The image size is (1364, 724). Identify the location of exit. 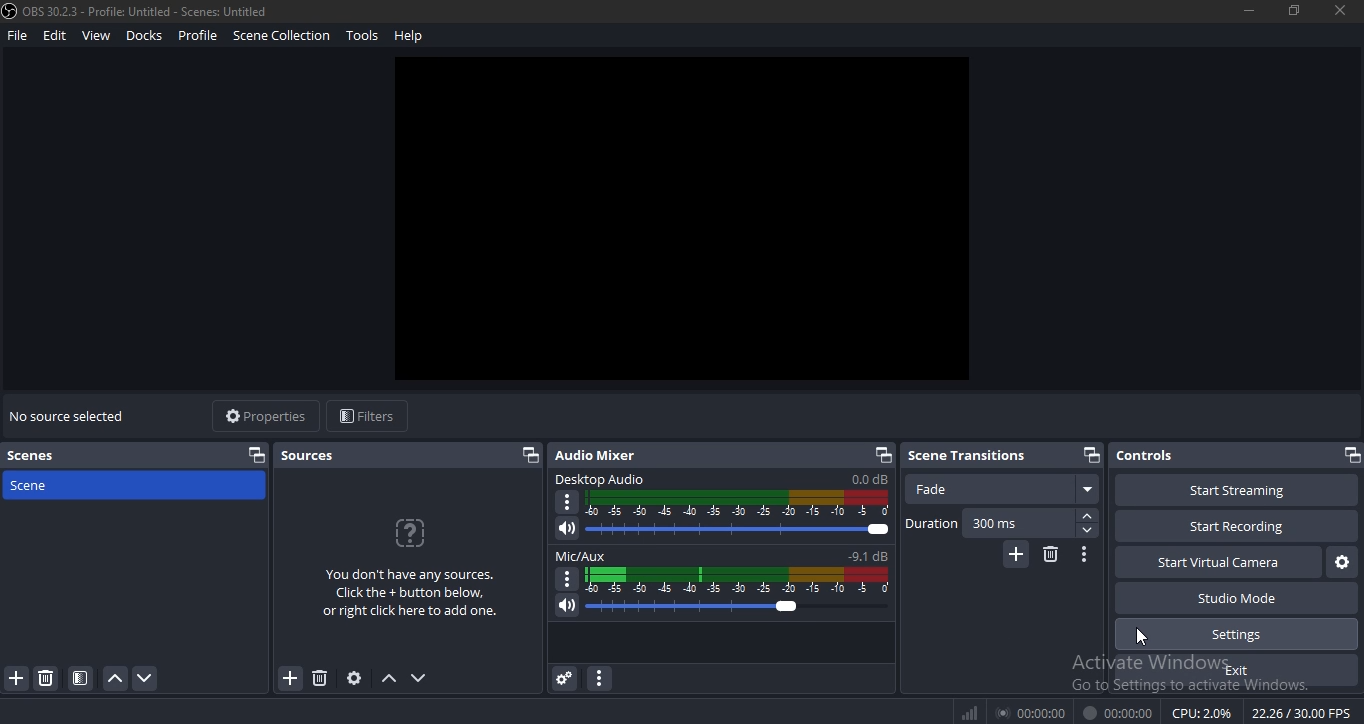
(1242, 670).